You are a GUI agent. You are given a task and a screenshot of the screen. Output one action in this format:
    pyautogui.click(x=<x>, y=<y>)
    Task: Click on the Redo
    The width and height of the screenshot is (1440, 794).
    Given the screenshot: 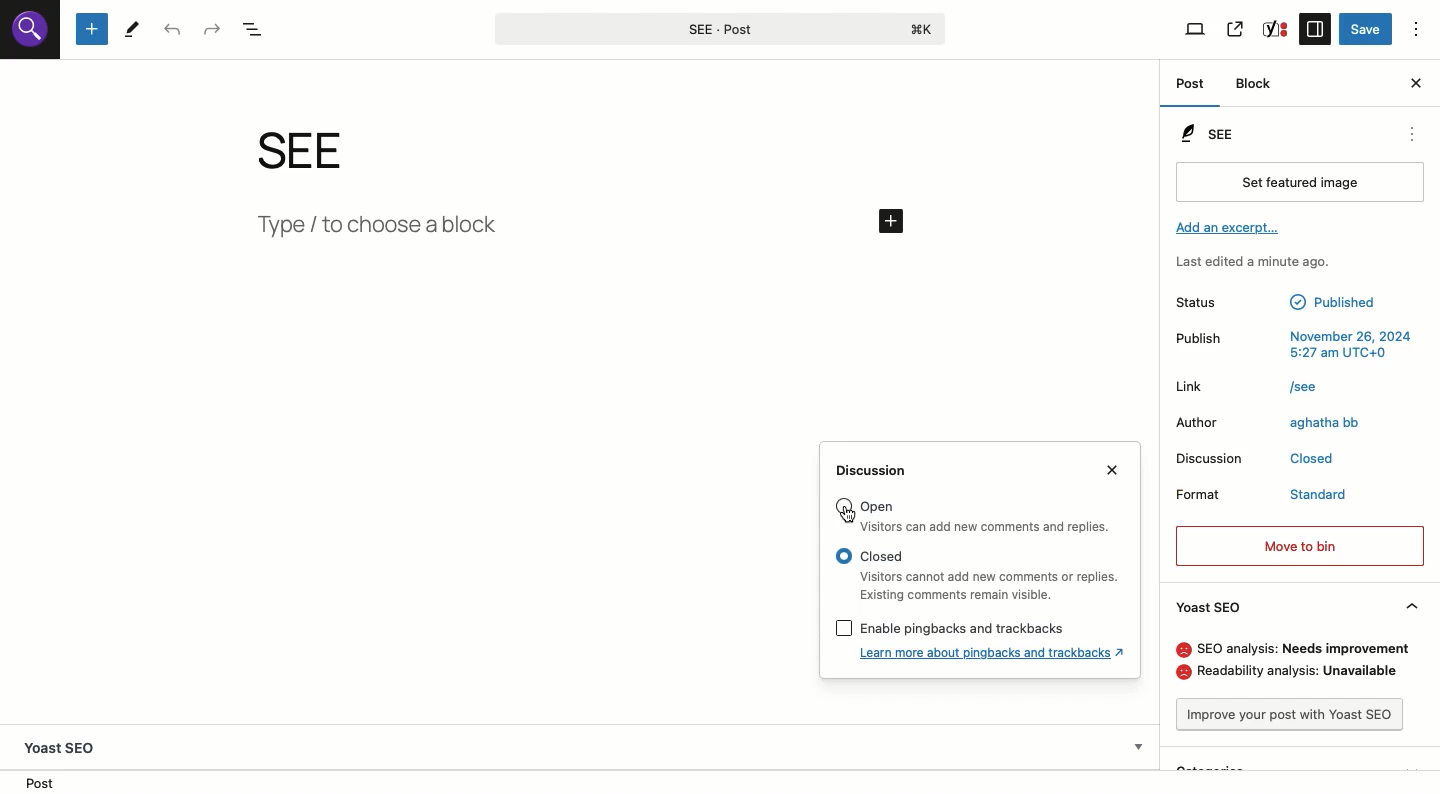 What is the action you would take?
    pyautogui.click(x=212, y=28)
    